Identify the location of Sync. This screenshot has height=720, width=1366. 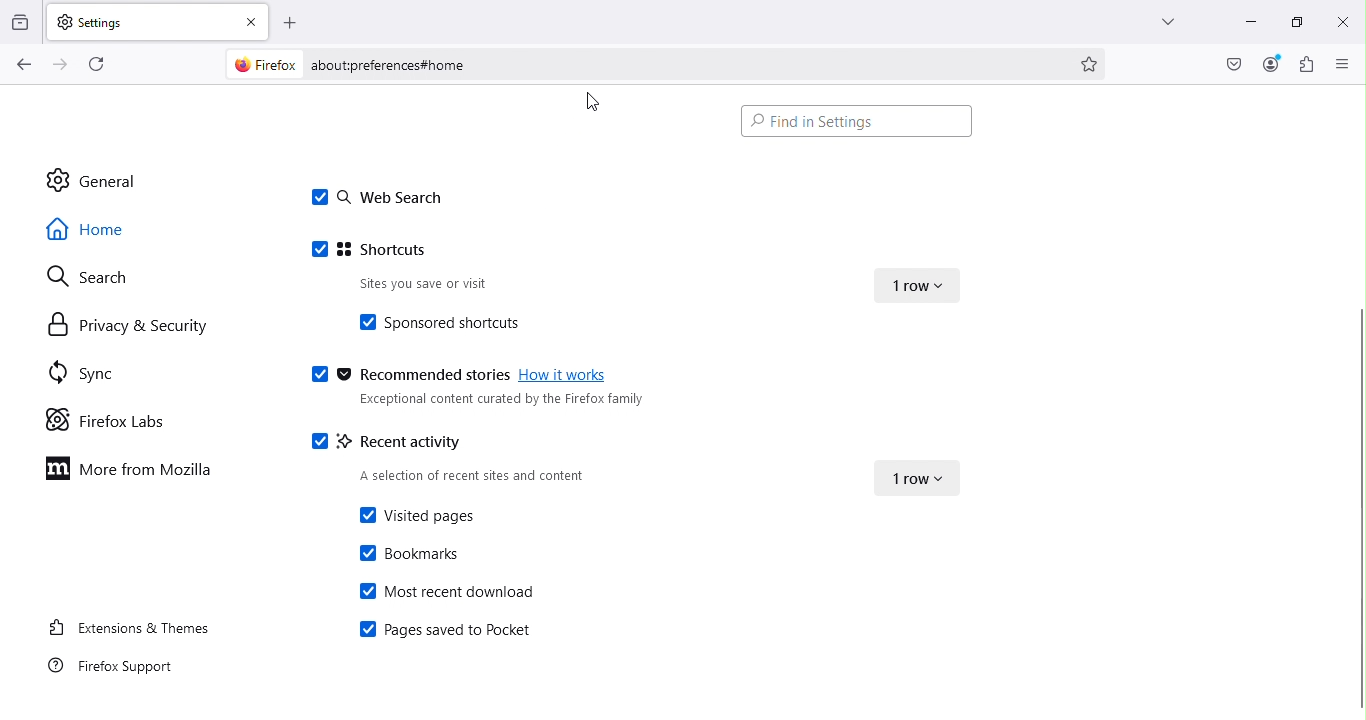
(77, 370).